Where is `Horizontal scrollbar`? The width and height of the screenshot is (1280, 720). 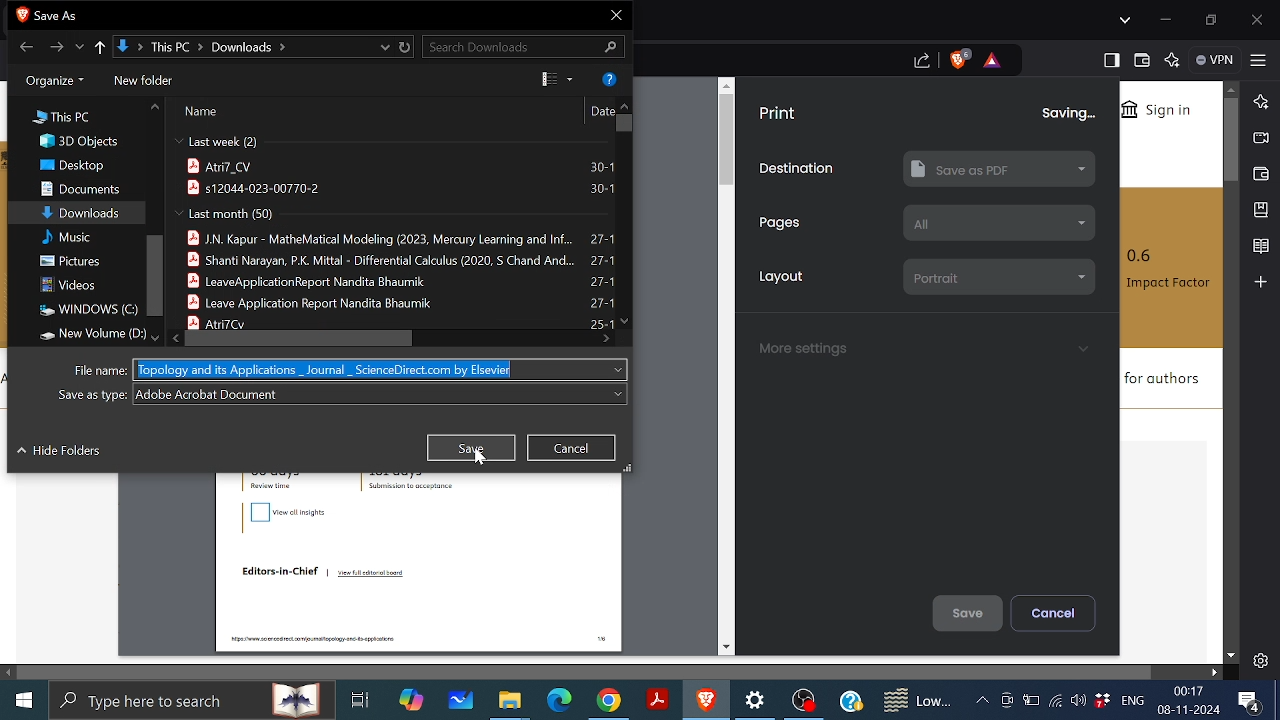 Horizontal scrollbar is located at coordinates (588, 673).